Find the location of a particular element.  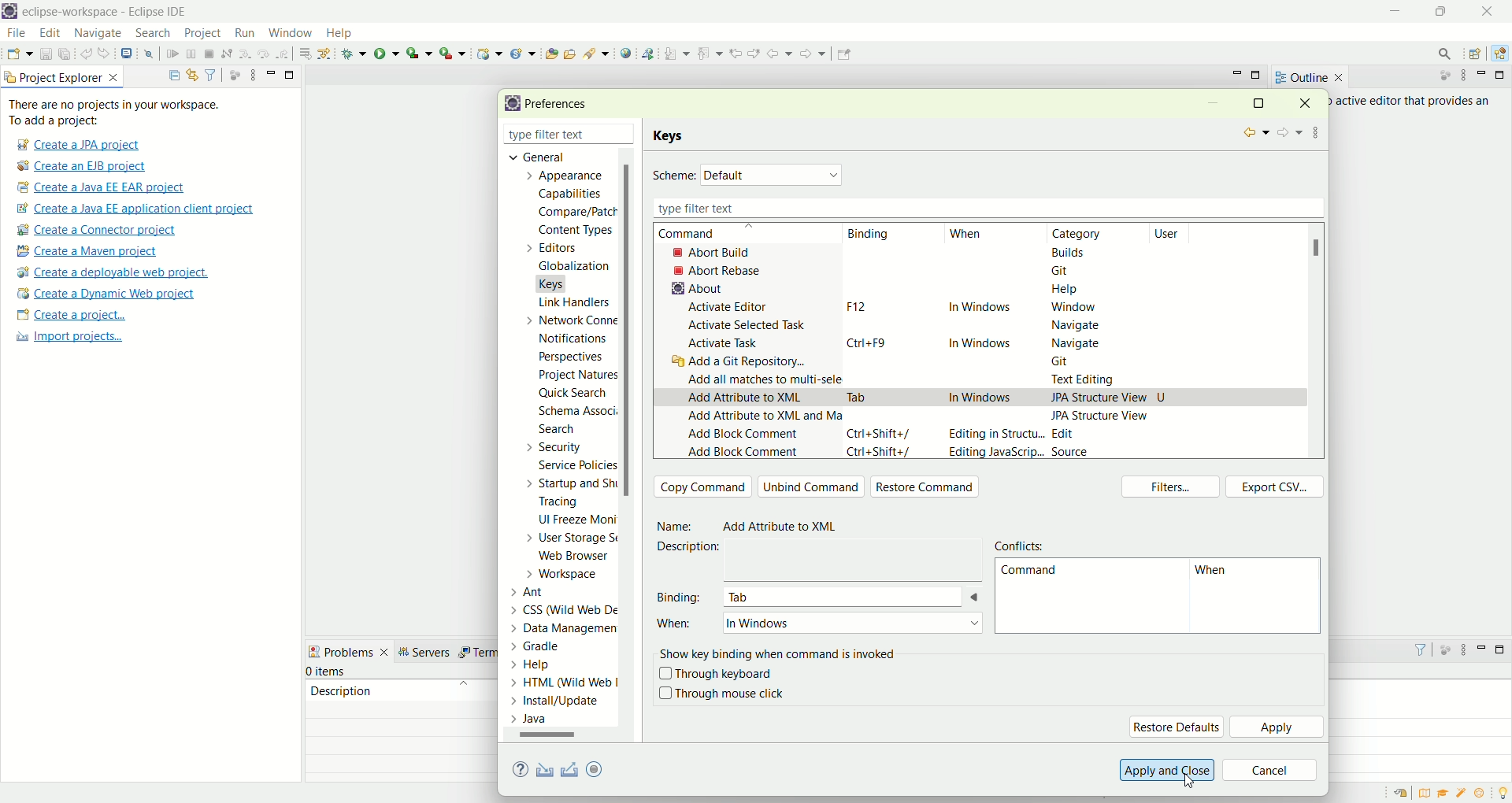

activate editor is located at coordinates (731, 307).